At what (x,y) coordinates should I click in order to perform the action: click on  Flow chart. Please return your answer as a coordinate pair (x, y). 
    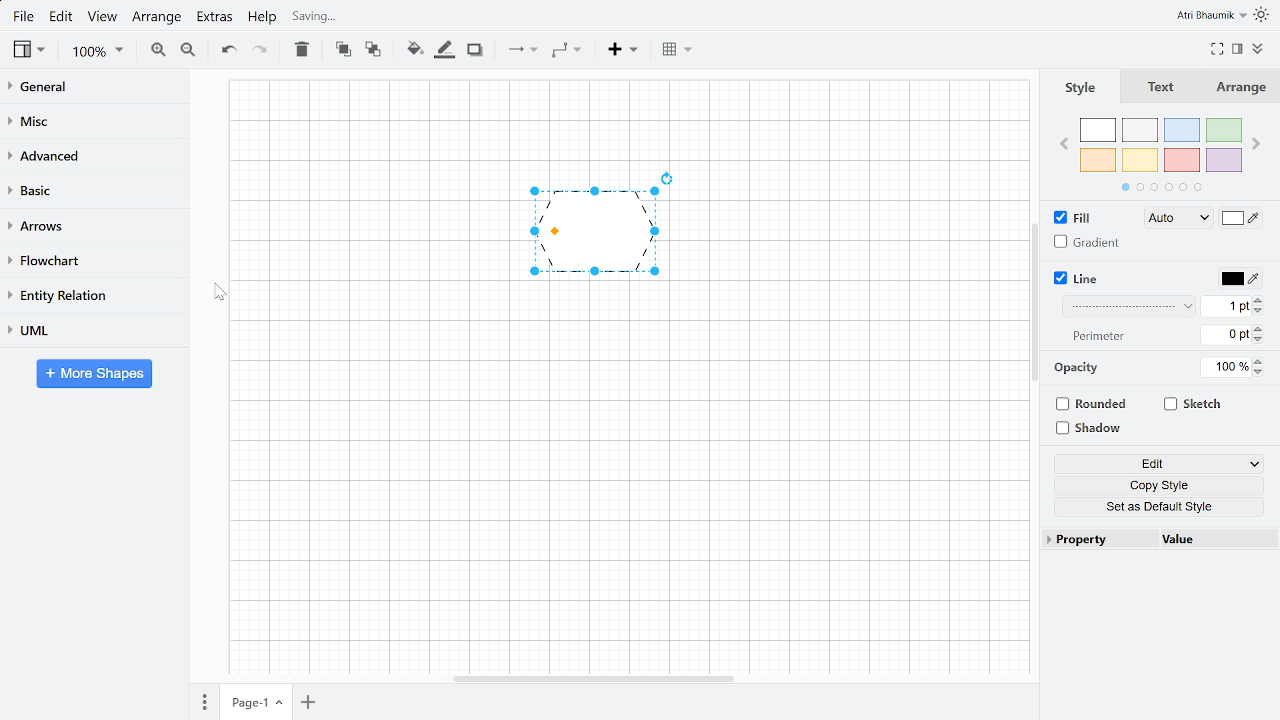
    Looking at the image, I should click on (86, 258).